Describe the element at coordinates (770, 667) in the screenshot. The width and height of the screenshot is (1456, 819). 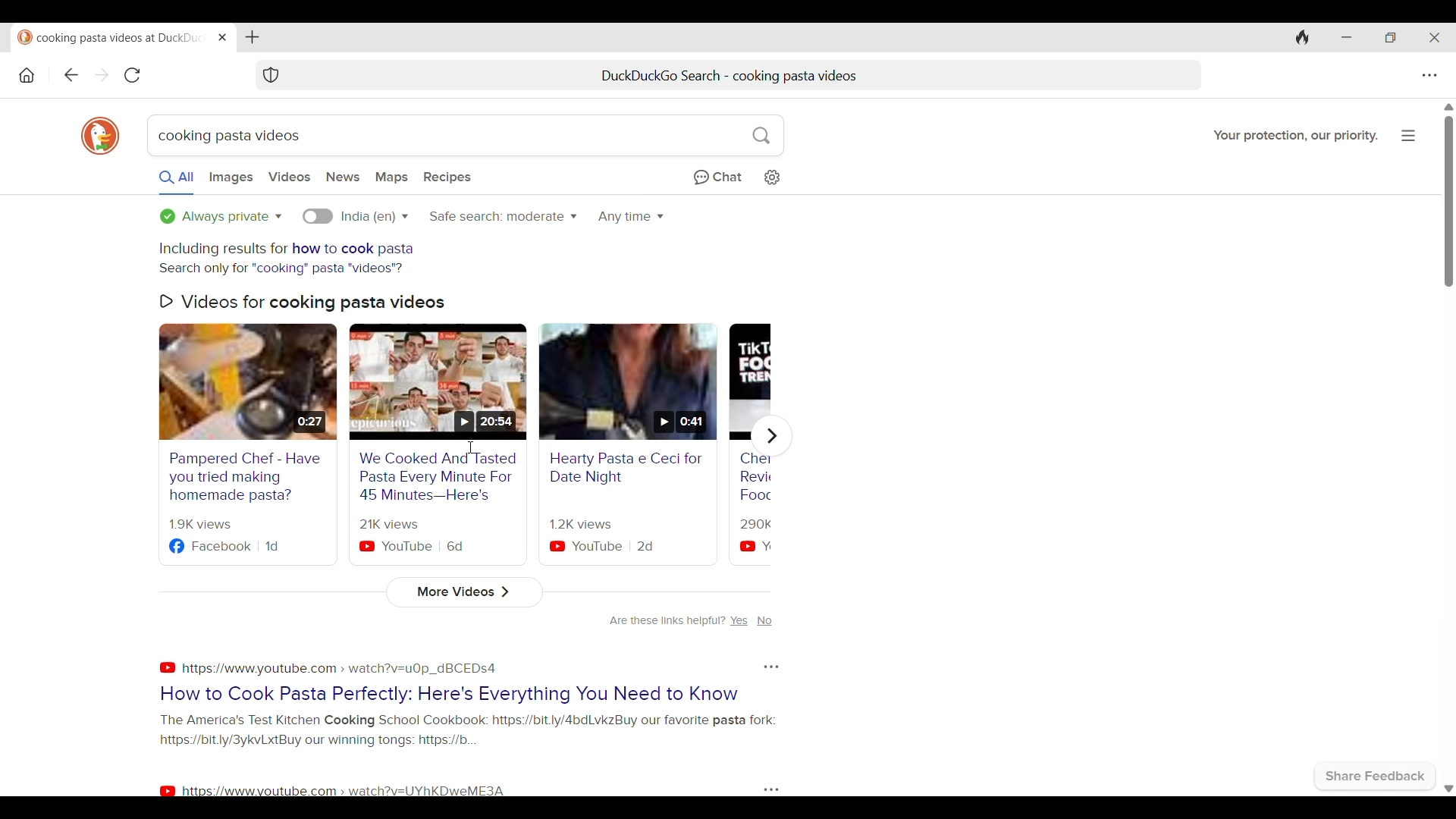
I see `Options` at that location.